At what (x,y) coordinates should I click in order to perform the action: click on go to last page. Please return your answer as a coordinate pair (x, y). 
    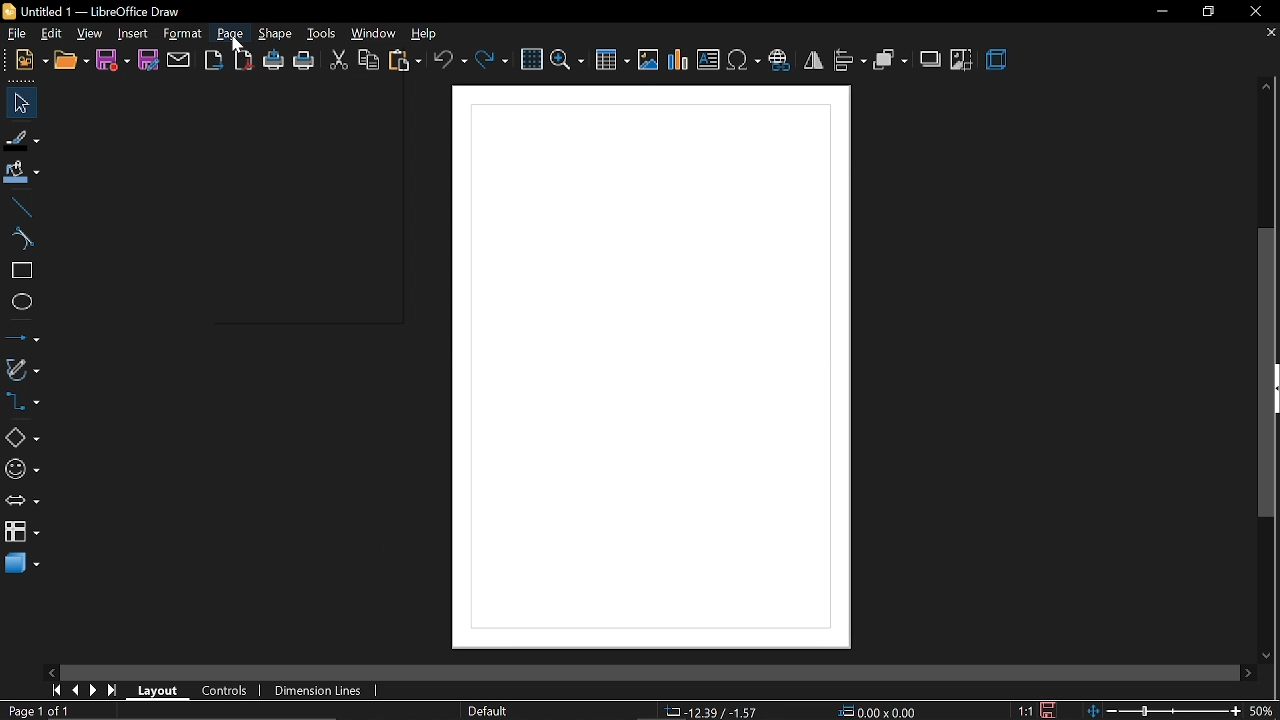
    Looking at the image, I should click on (114, 691).